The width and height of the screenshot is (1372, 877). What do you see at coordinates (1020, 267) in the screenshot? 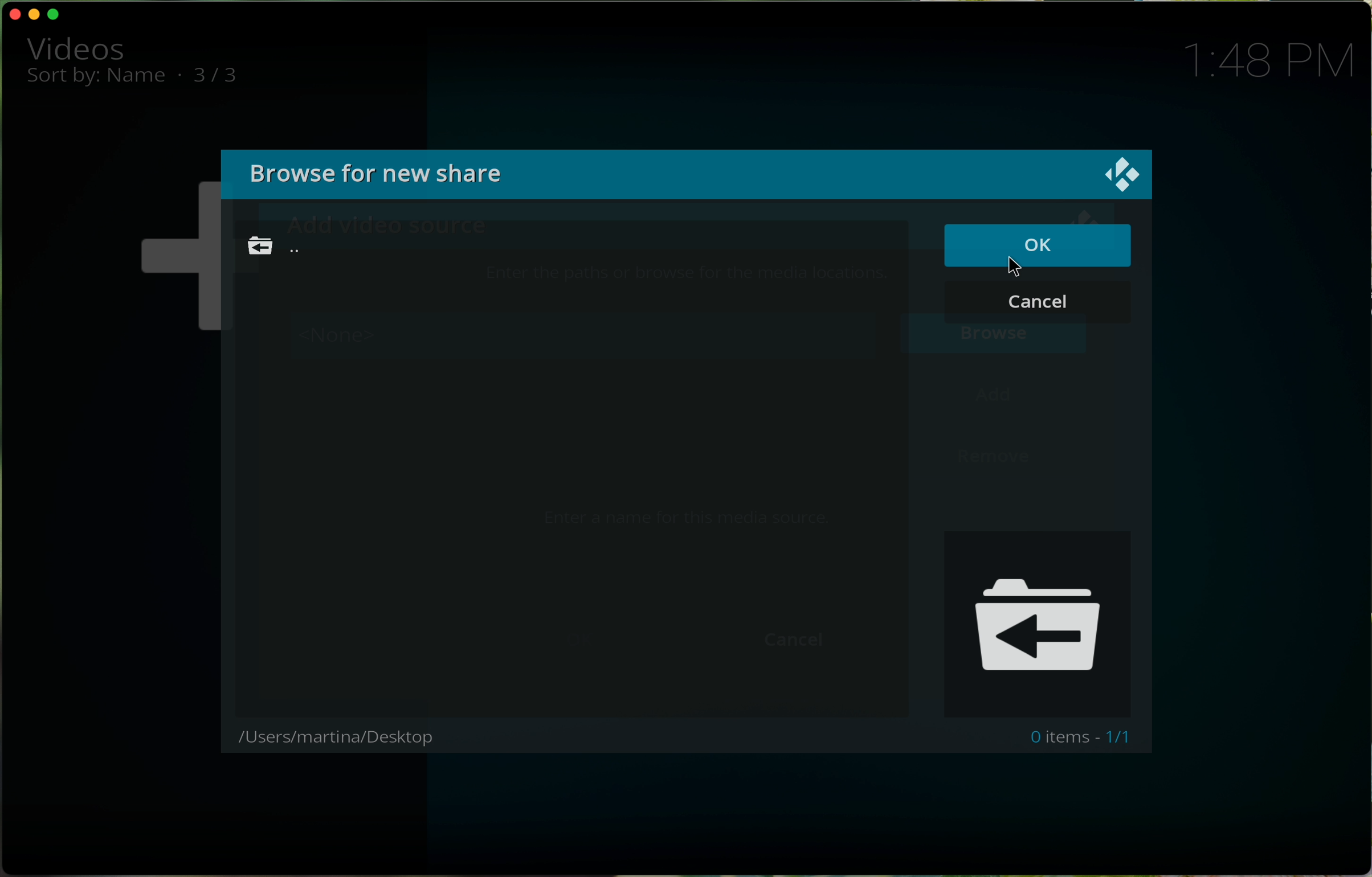
I see `cursor` at bounding box center [1020, 267].